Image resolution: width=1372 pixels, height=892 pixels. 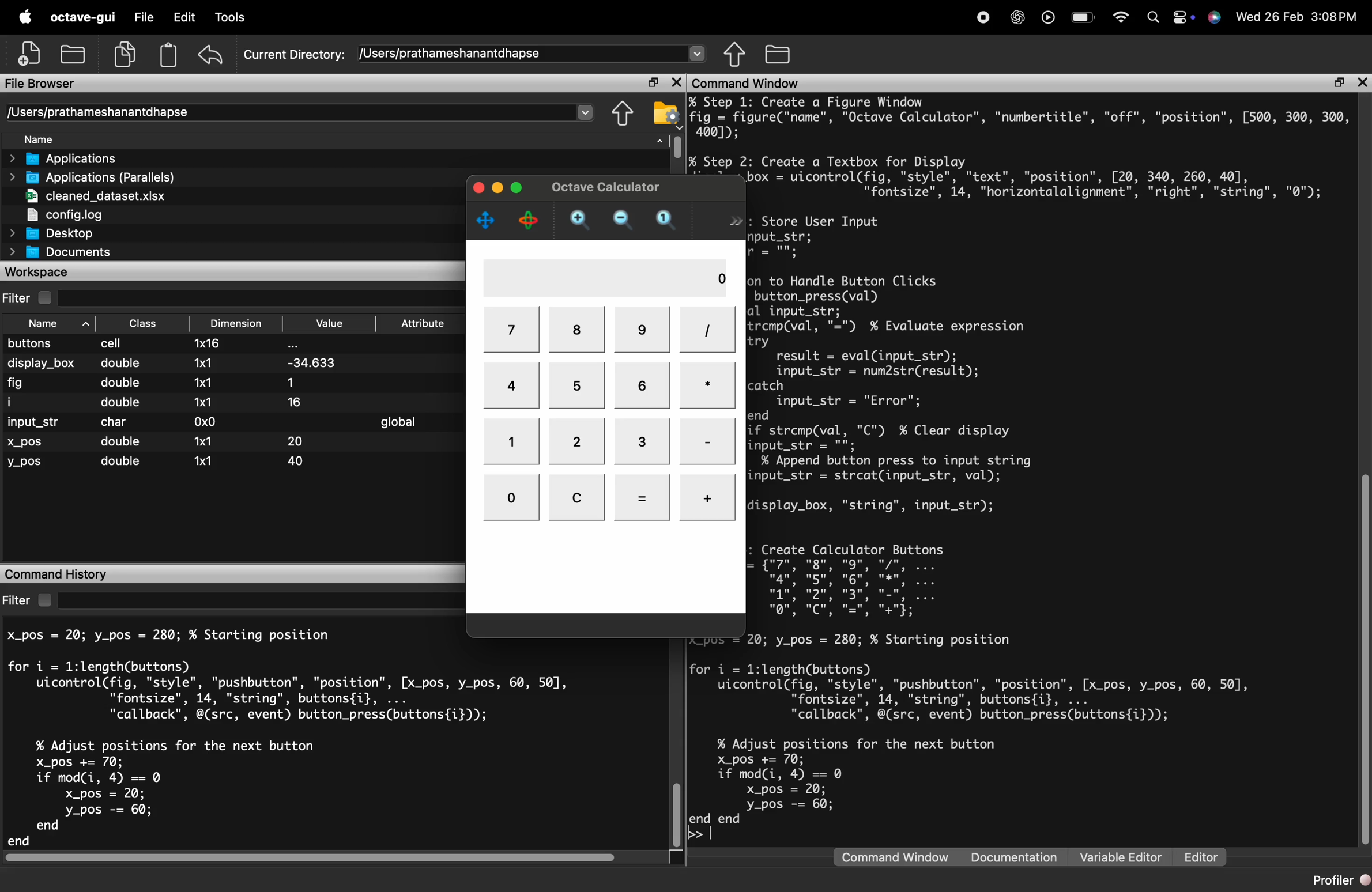 What do you see at coordinates (620, 114) in the screenshot?
I see `Directory settings` at bounding box center [620, 114].